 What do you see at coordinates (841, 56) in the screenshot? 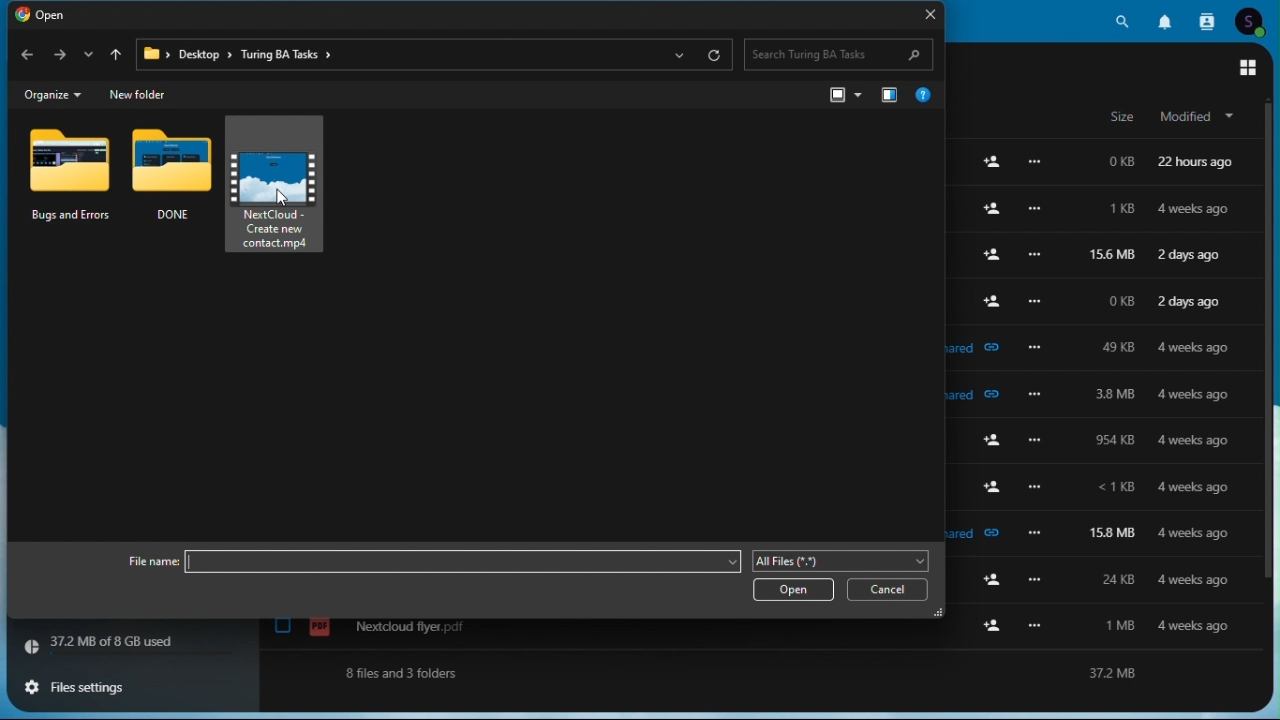
I see `Search` at bounding box center [841, 56].